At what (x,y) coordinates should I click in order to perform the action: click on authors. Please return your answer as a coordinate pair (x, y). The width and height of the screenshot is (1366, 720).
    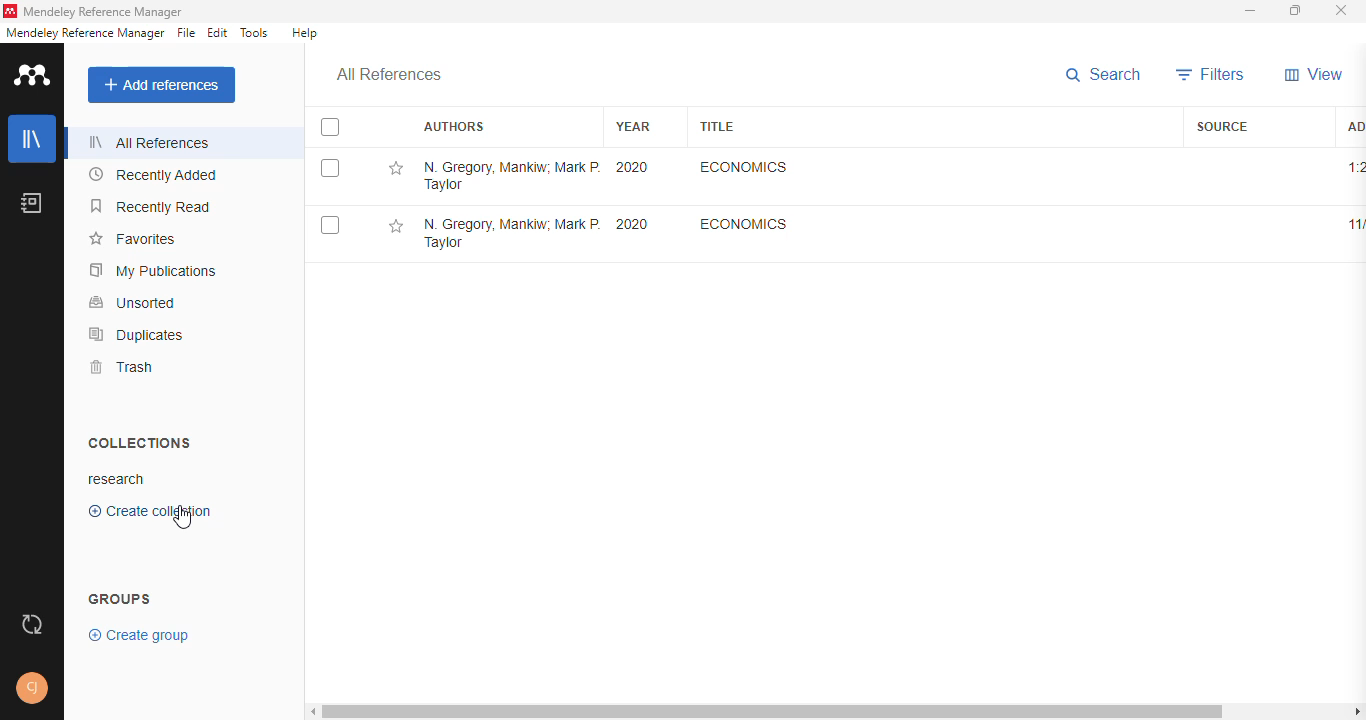
    Looking at the image, I should click on (453, 127).